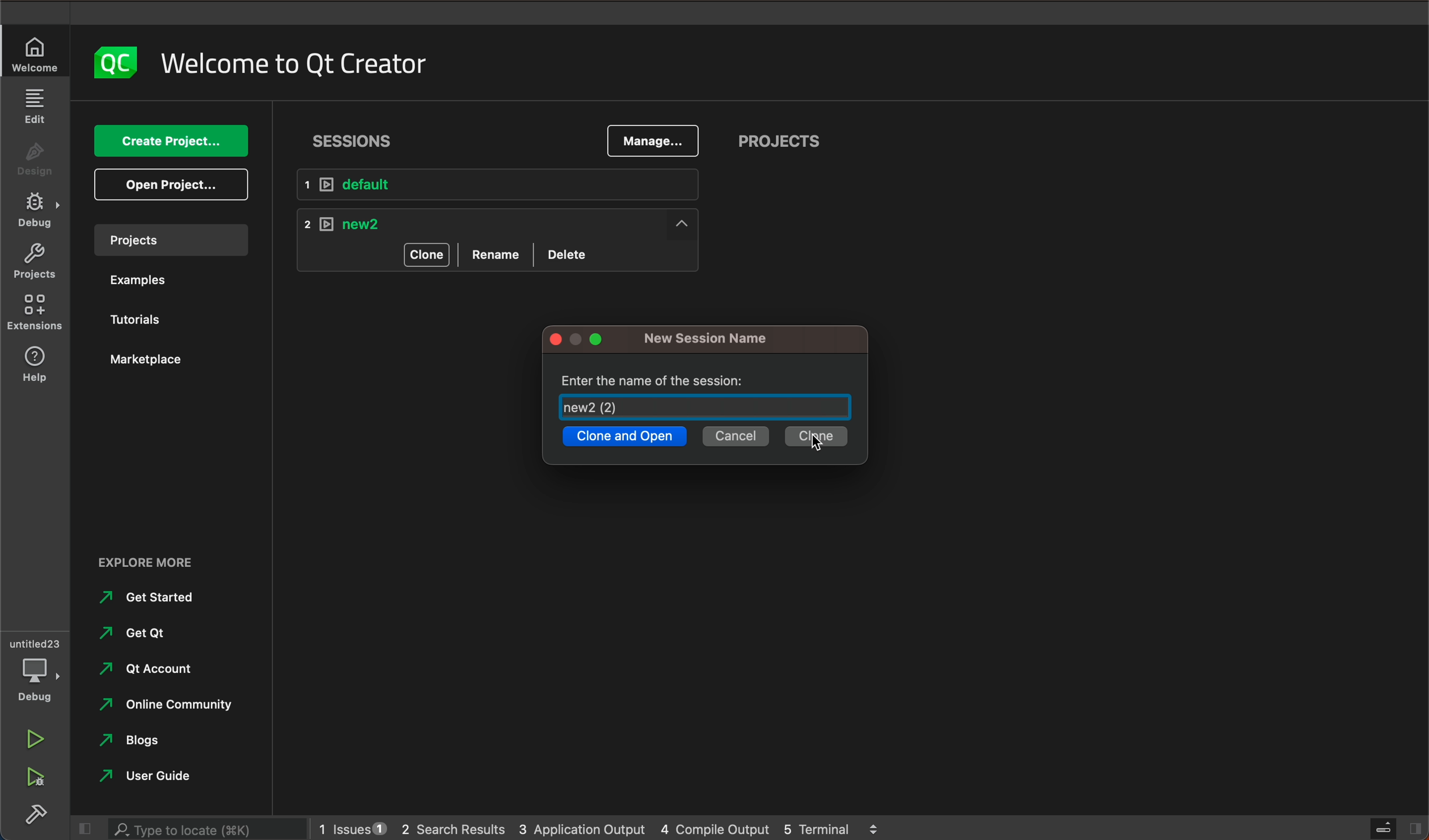 This screenshot has width=1429, height=840. I want to click on explore more, so click(166, 562).